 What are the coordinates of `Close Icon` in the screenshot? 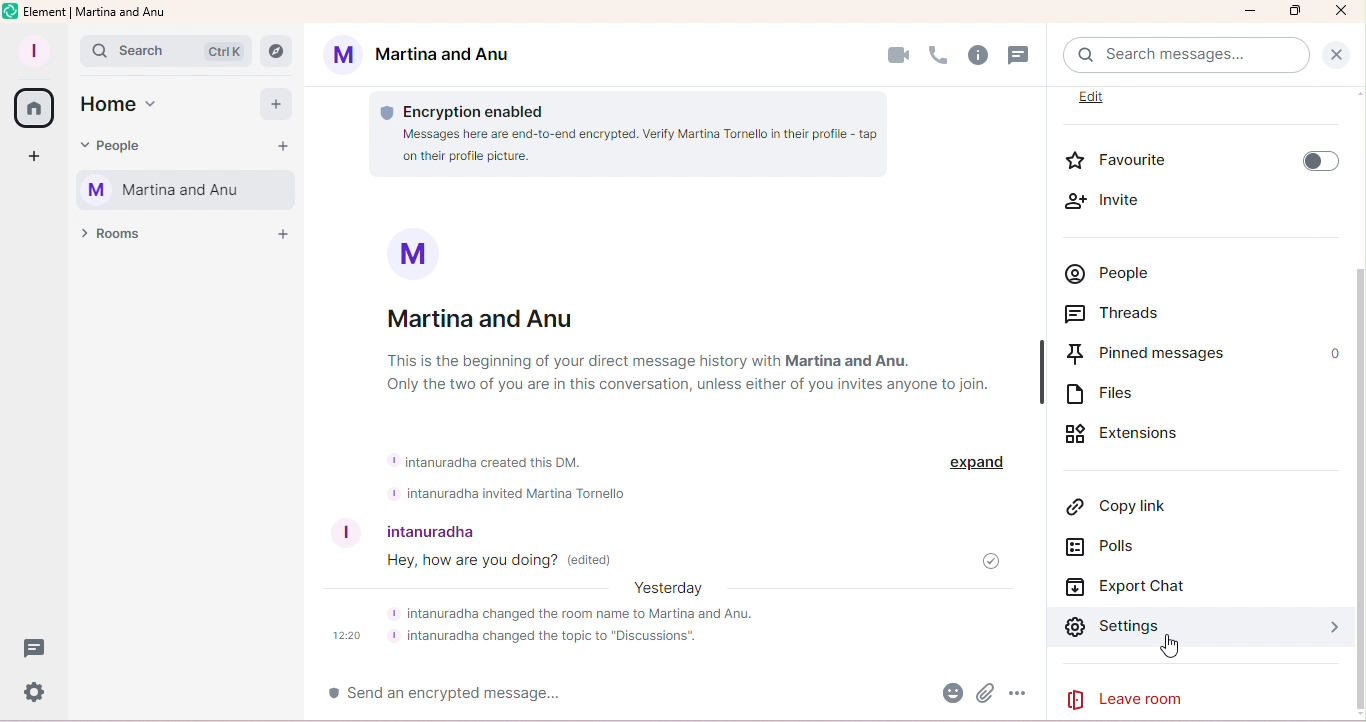 It's located at (1340, 11).